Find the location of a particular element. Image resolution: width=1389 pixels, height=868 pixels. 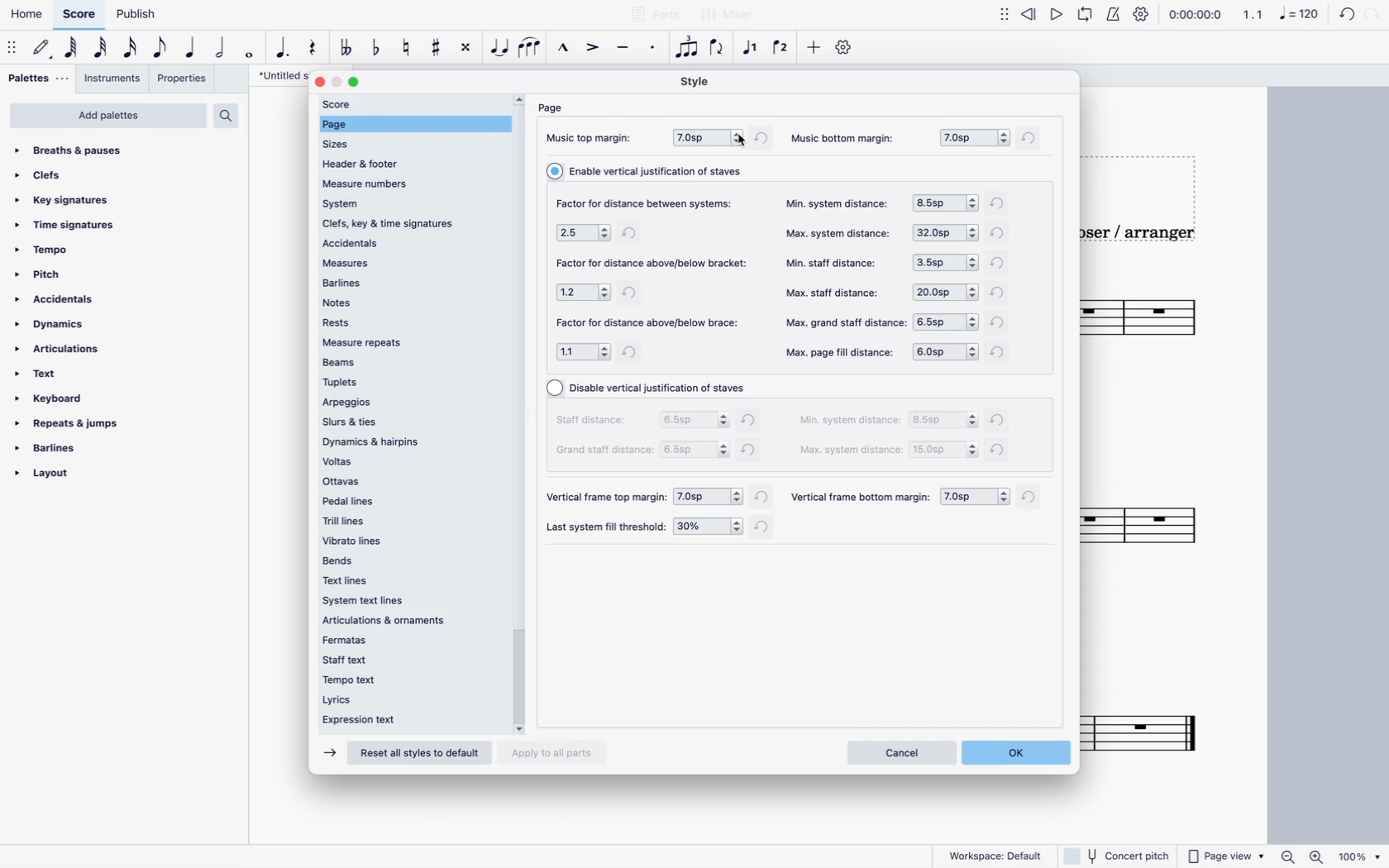

tuplets is located at coordinates (408, 384).